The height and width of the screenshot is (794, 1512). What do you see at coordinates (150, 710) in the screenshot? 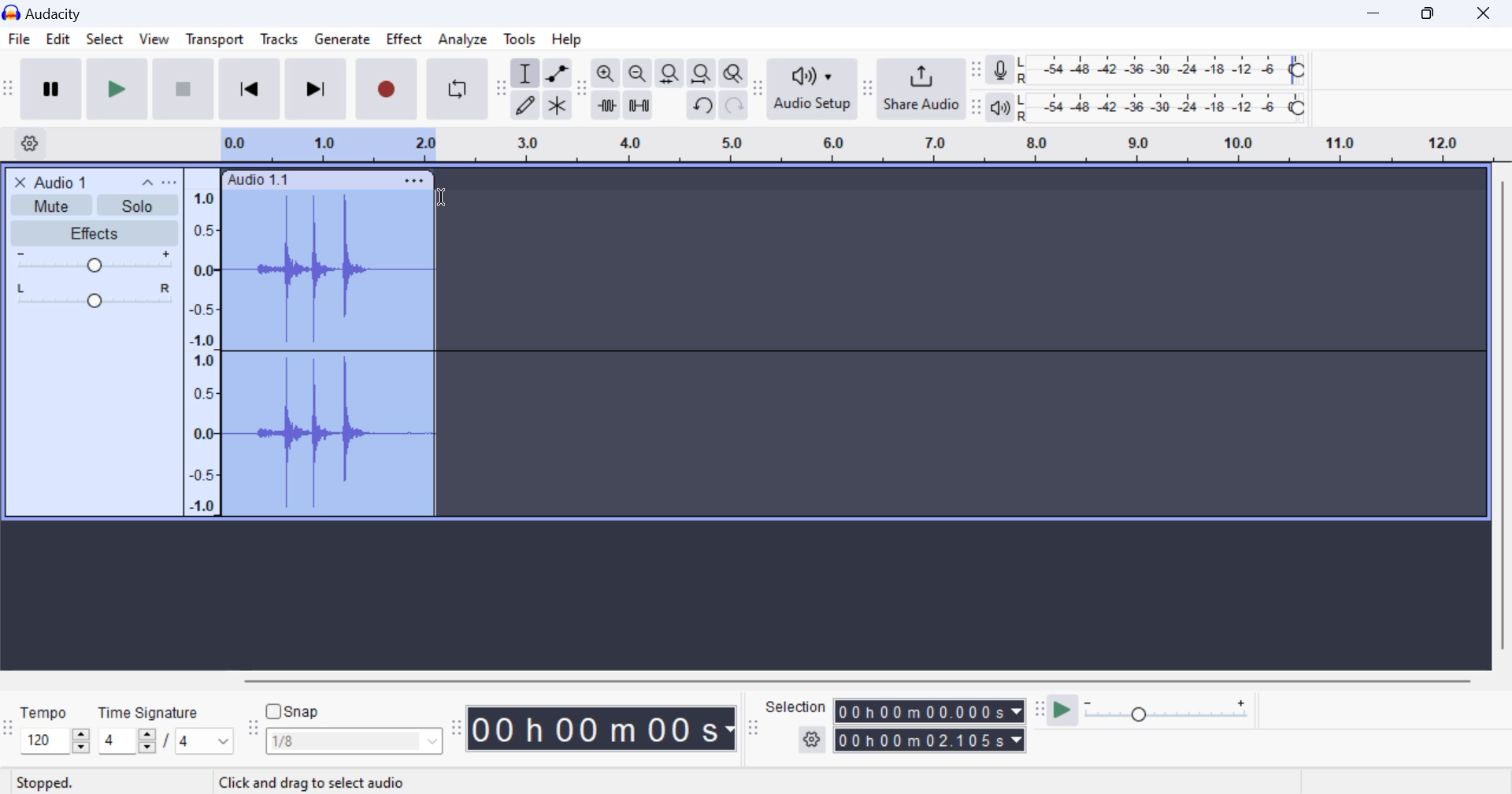
I see `Time Signature` at bounding box center [150, 710].